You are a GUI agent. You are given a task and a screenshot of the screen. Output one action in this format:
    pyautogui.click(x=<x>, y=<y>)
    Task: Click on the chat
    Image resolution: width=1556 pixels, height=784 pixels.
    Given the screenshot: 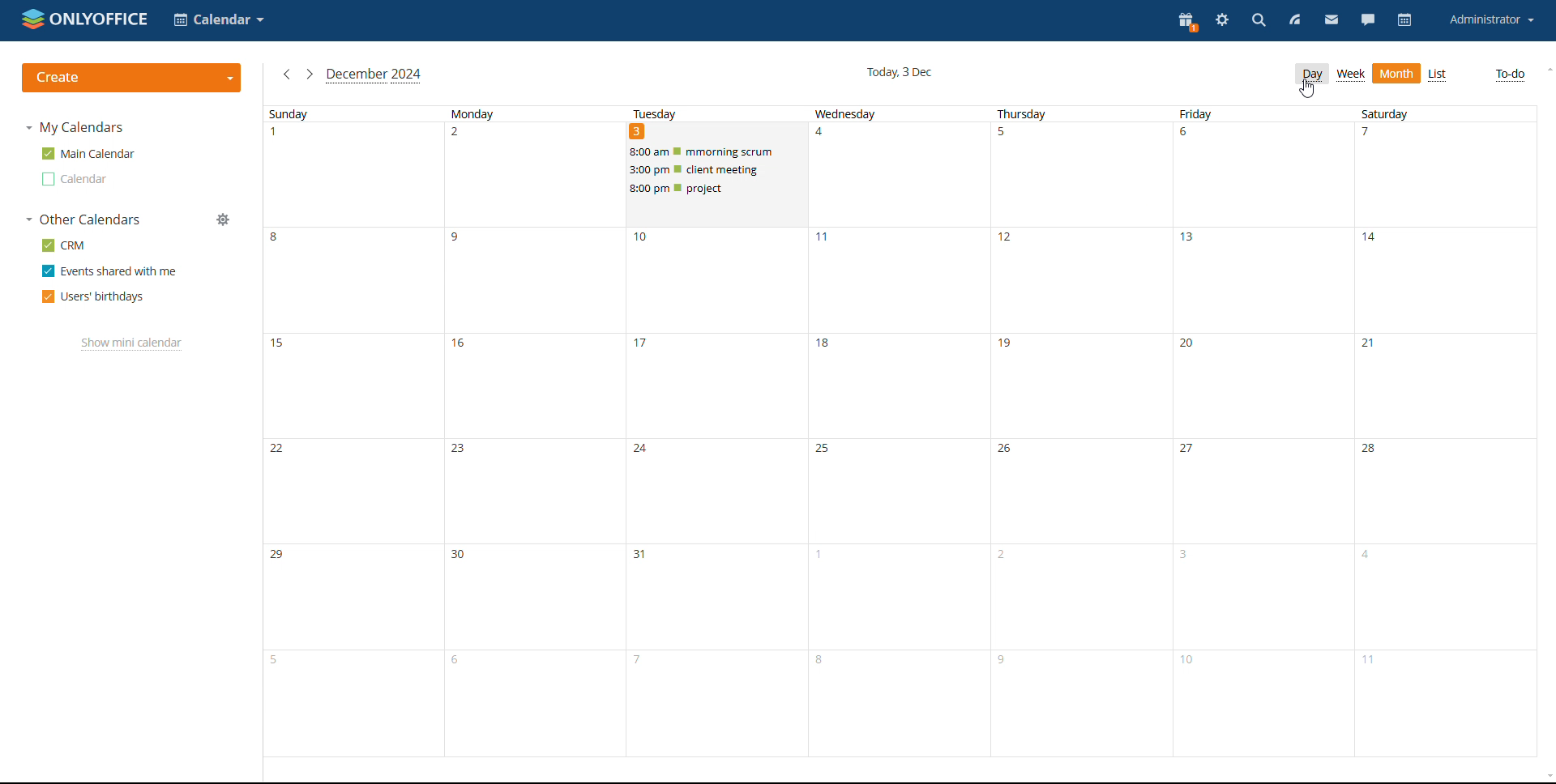 What is the action you would take?
    pyautogui.click(x=1368, y=19)
    